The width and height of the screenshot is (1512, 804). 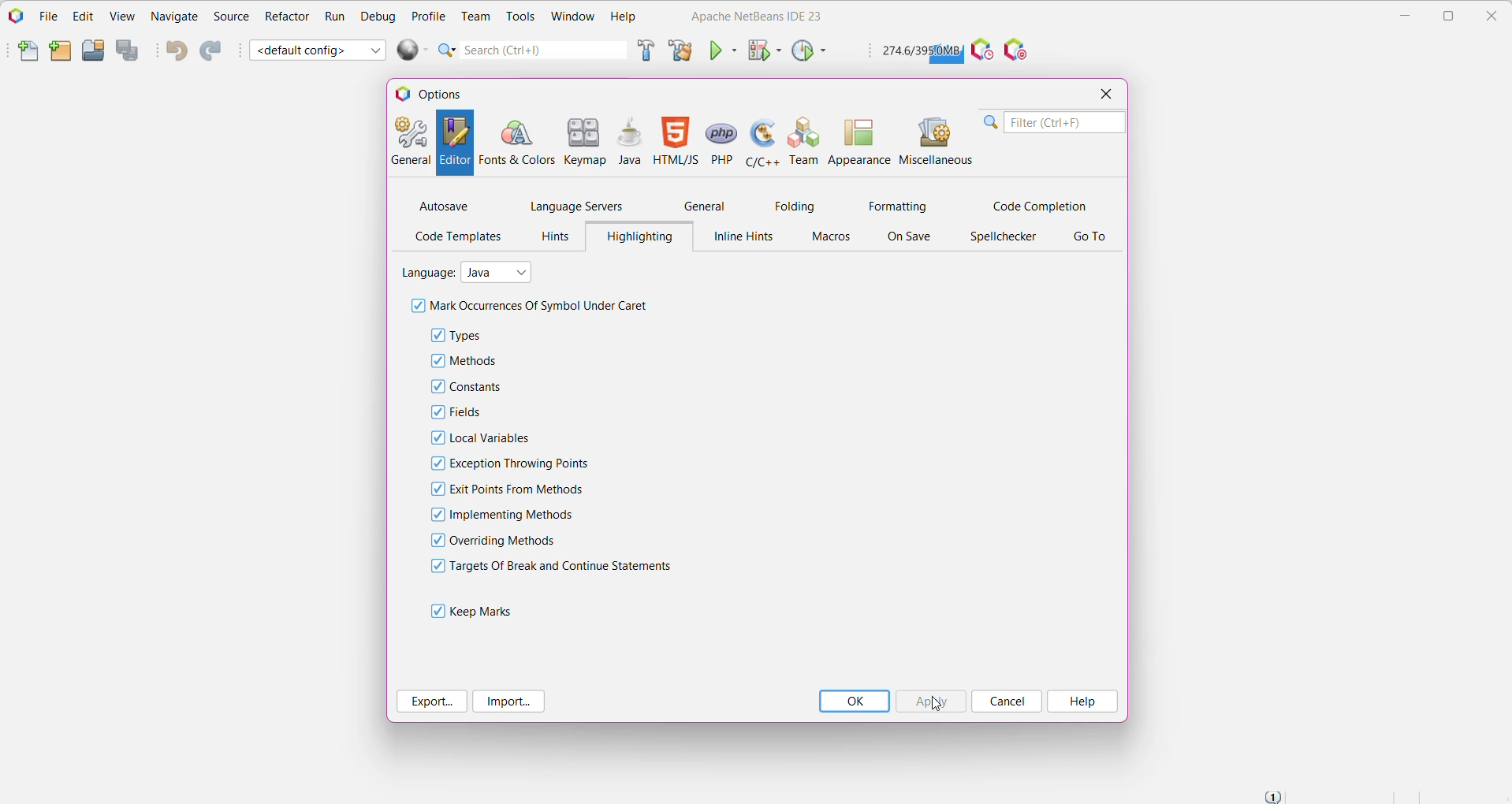 I want to click on Export, so click(x=431, y=702).